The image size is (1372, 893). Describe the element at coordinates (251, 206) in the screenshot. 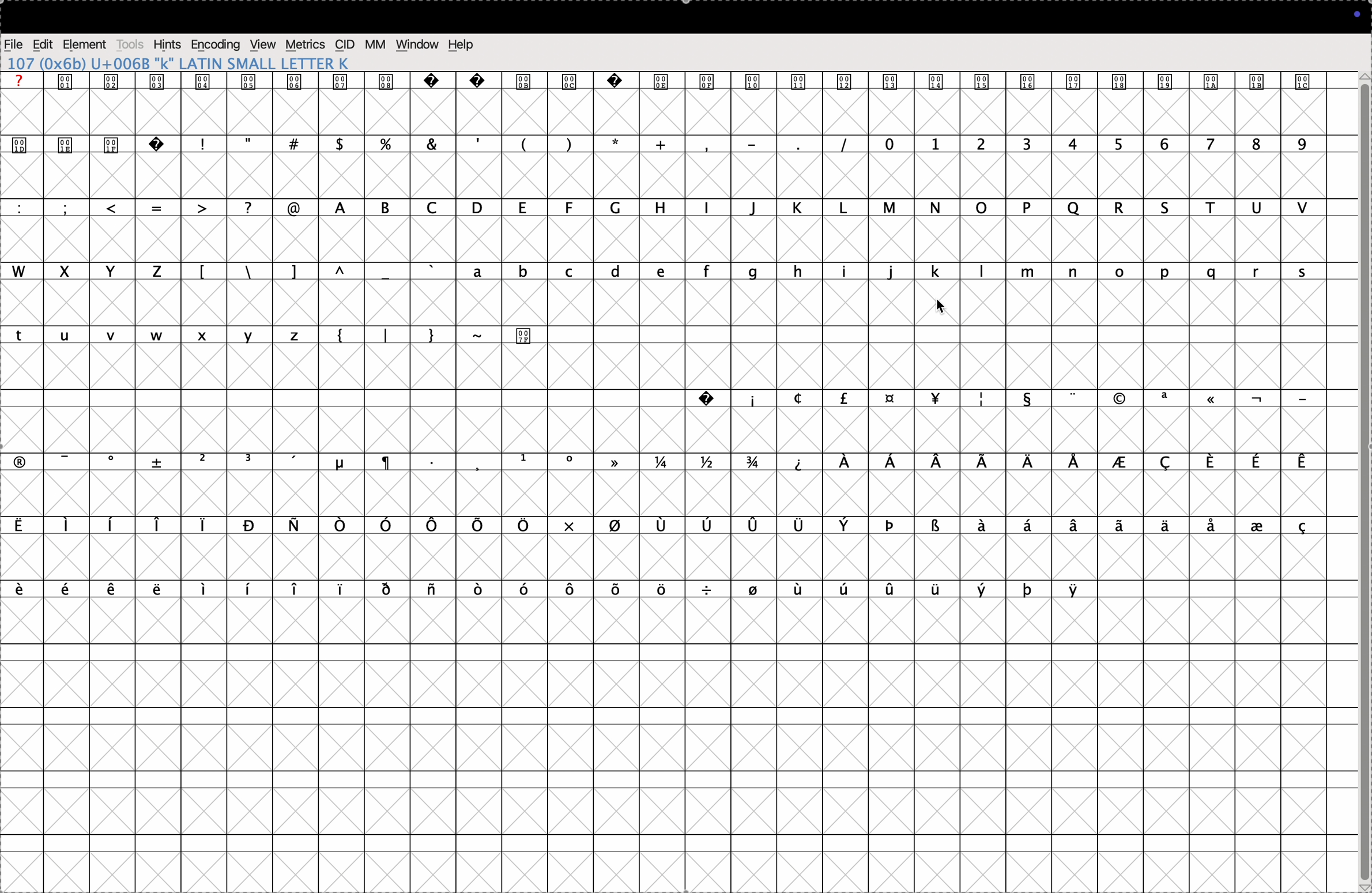

I see `/` at that location.